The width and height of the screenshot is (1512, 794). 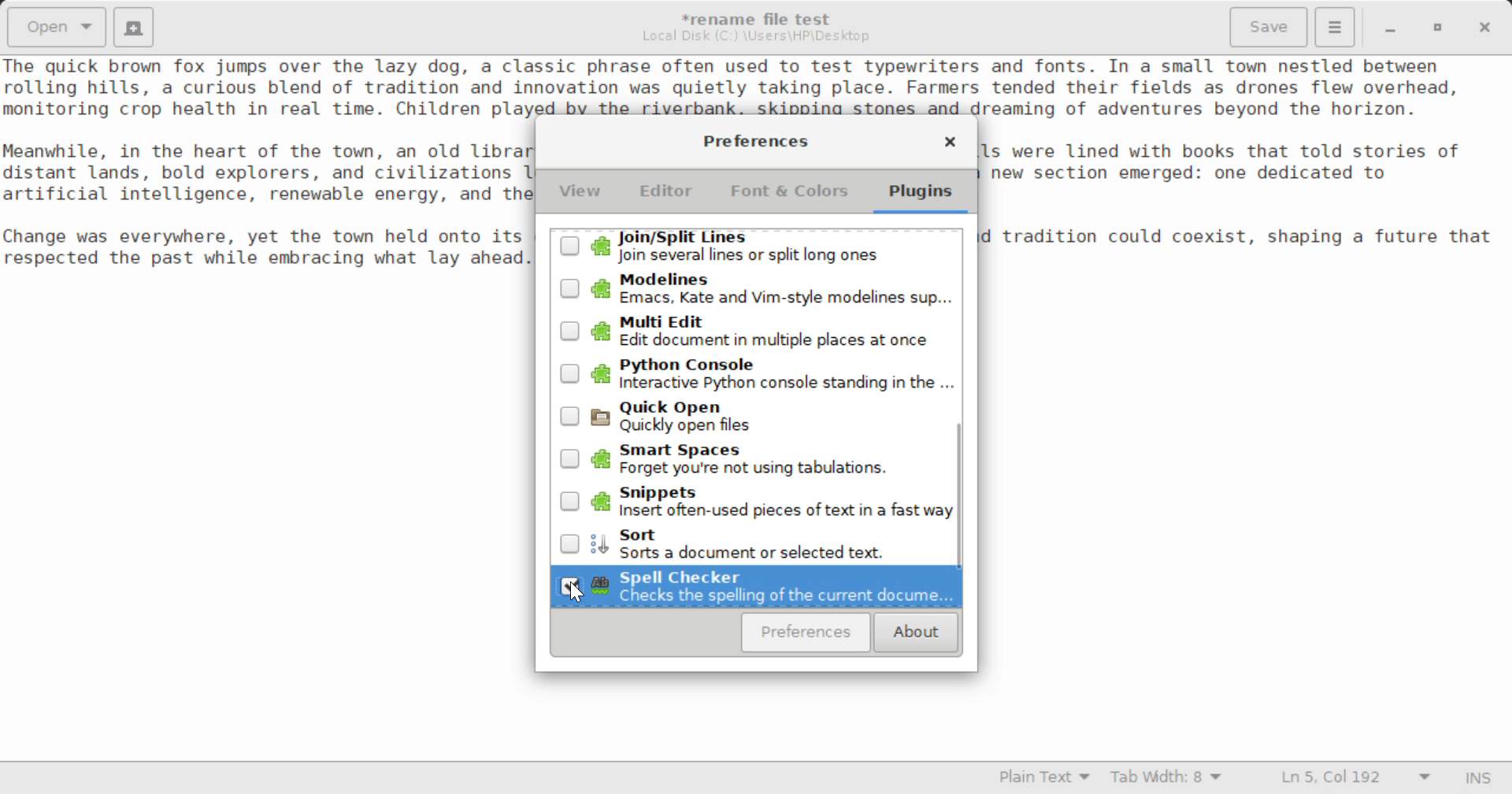 What do you see at coordinates (756, 457) in the screenshot?
I see `Unselected Smart Spaces` at bounding box center [756, 457].